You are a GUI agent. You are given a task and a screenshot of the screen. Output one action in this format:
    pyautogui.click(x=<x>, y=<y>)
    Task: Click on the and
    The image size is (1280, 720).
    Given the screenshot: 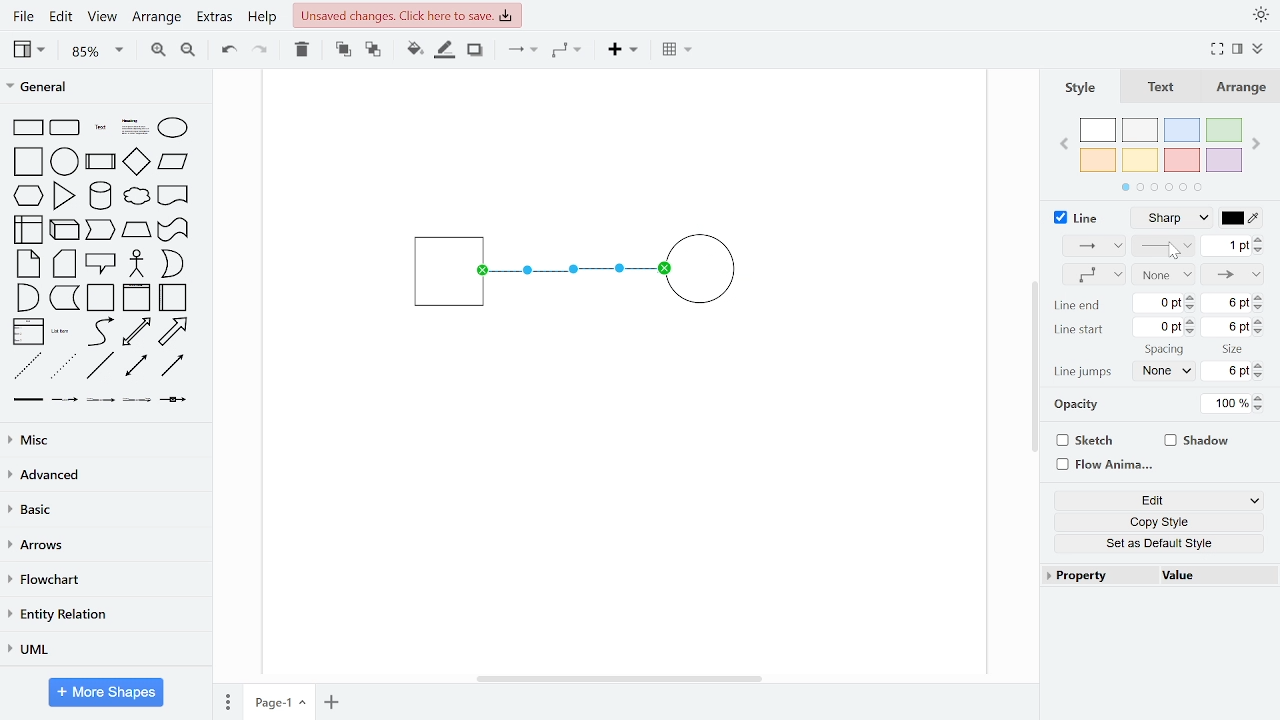 What is the action you would take?
    pyautogui.click(x=28, y=296)
    